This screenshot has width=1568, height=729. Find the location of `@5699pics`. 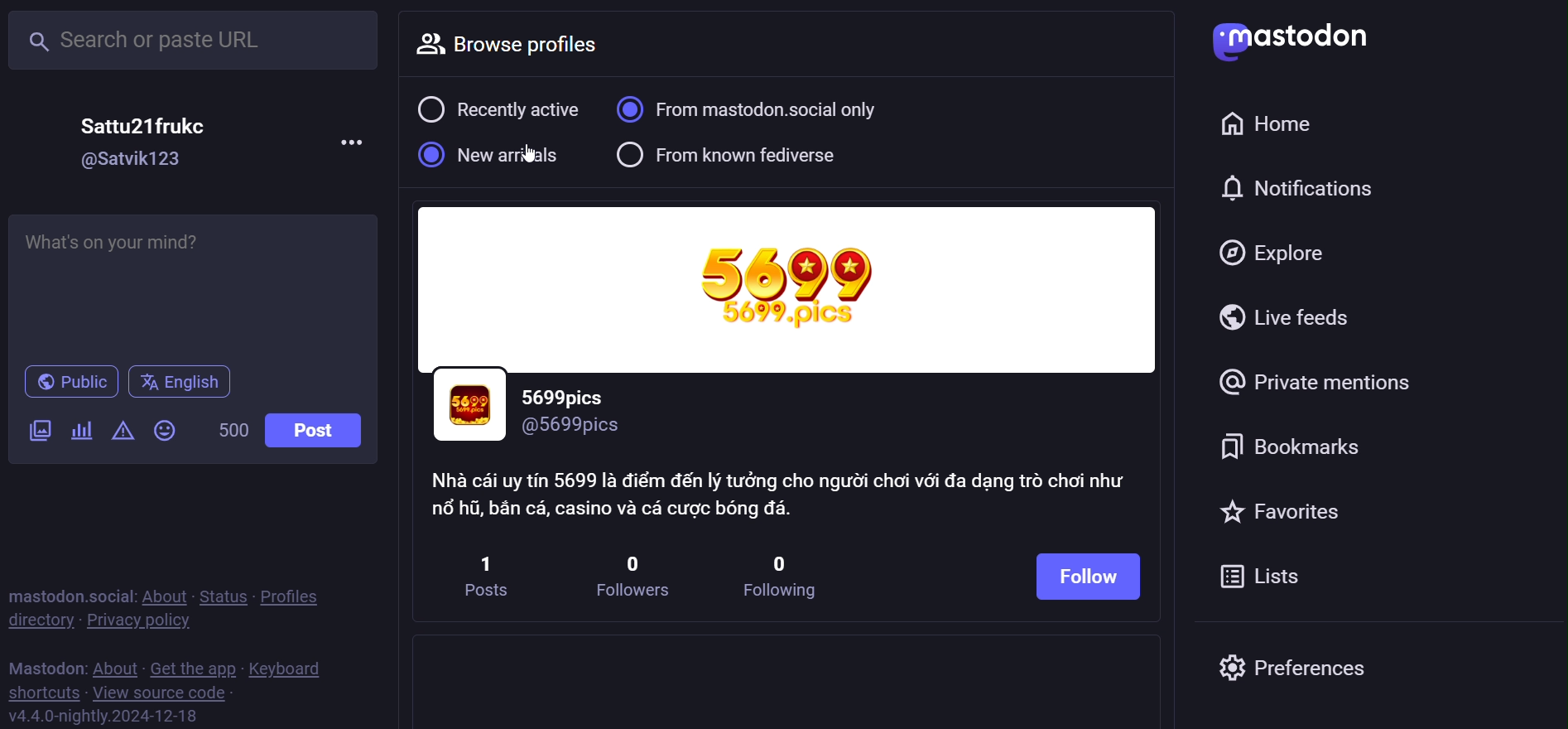

@5699pics is located at coordinates (575, 427).